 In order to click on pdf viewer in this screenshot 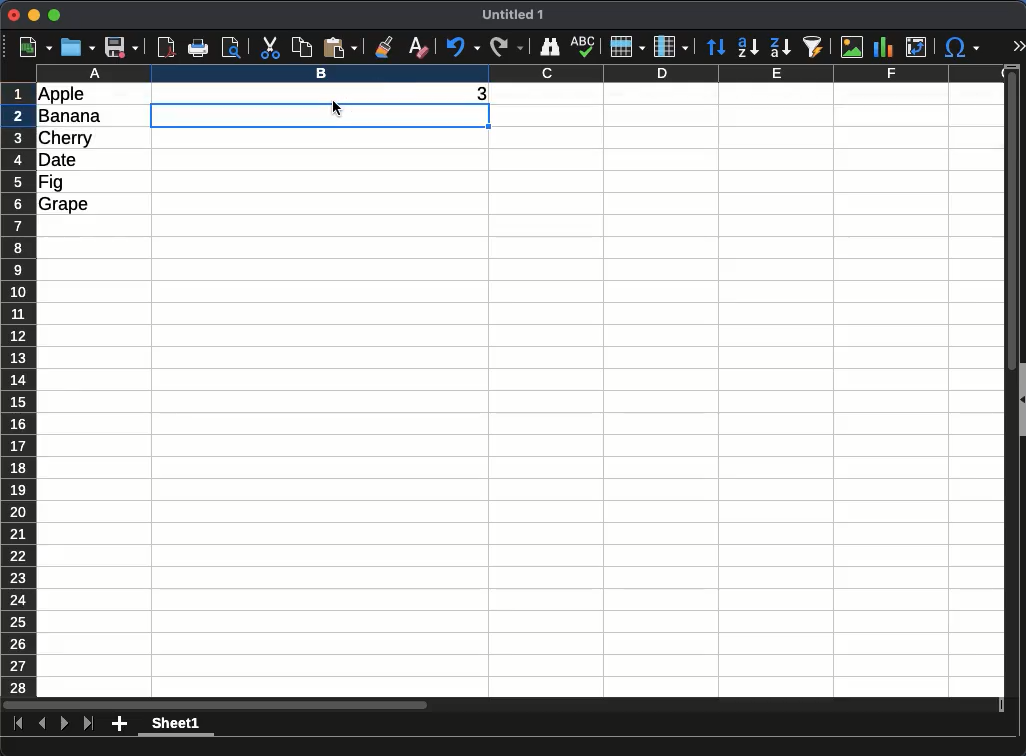, I will do `click(167, 48)`.